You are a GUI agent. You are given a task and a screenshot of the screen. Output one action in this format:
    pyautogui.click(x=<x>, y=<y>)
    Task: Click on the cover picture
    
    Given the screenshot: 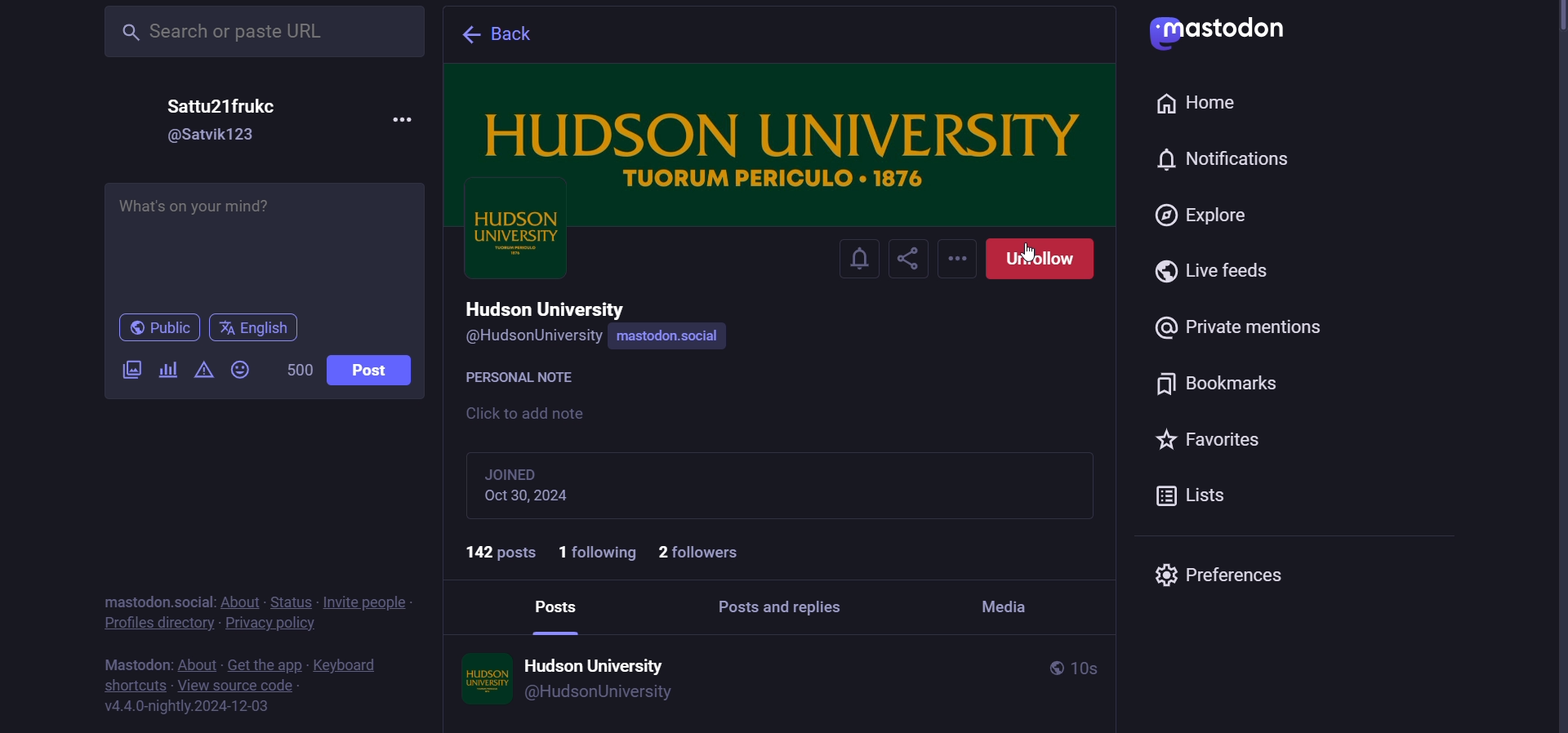 What is the action you would take?
    pyautogui.click(x=784, y=135)
    